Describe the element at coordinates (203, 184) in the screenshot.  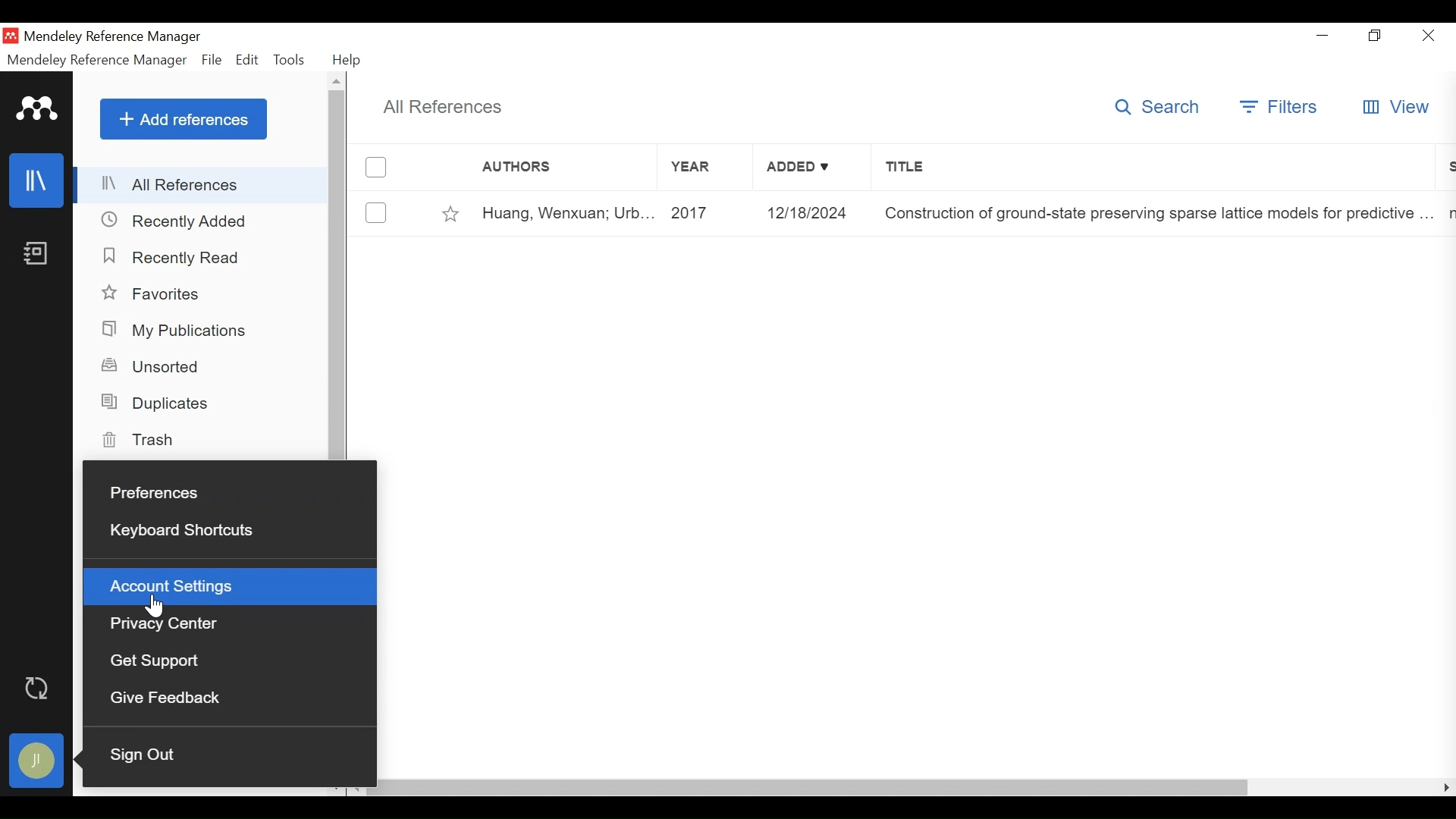
I see `All References` at that location.